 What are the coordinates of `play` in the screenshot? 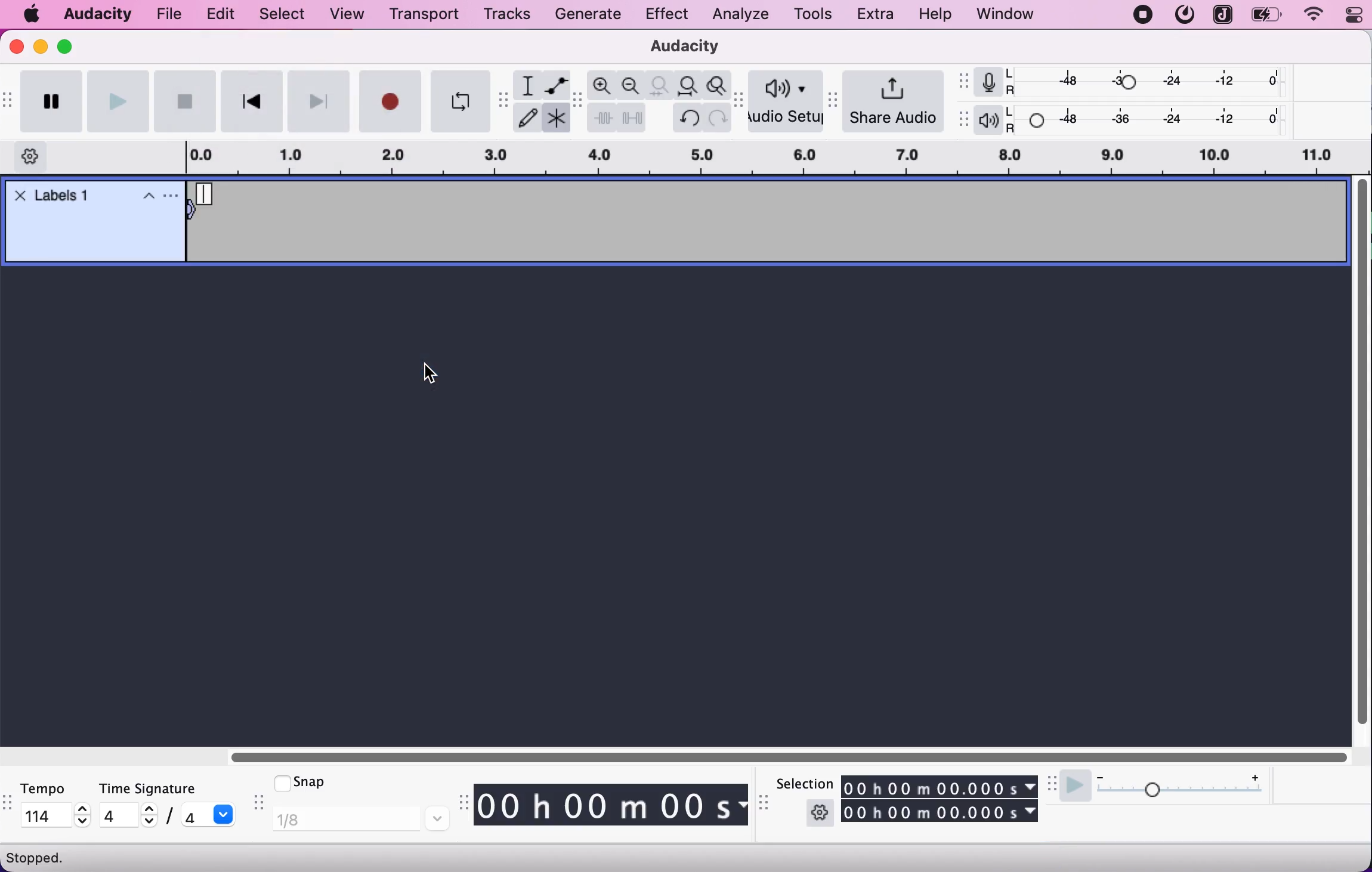 It's located at (118, 100).